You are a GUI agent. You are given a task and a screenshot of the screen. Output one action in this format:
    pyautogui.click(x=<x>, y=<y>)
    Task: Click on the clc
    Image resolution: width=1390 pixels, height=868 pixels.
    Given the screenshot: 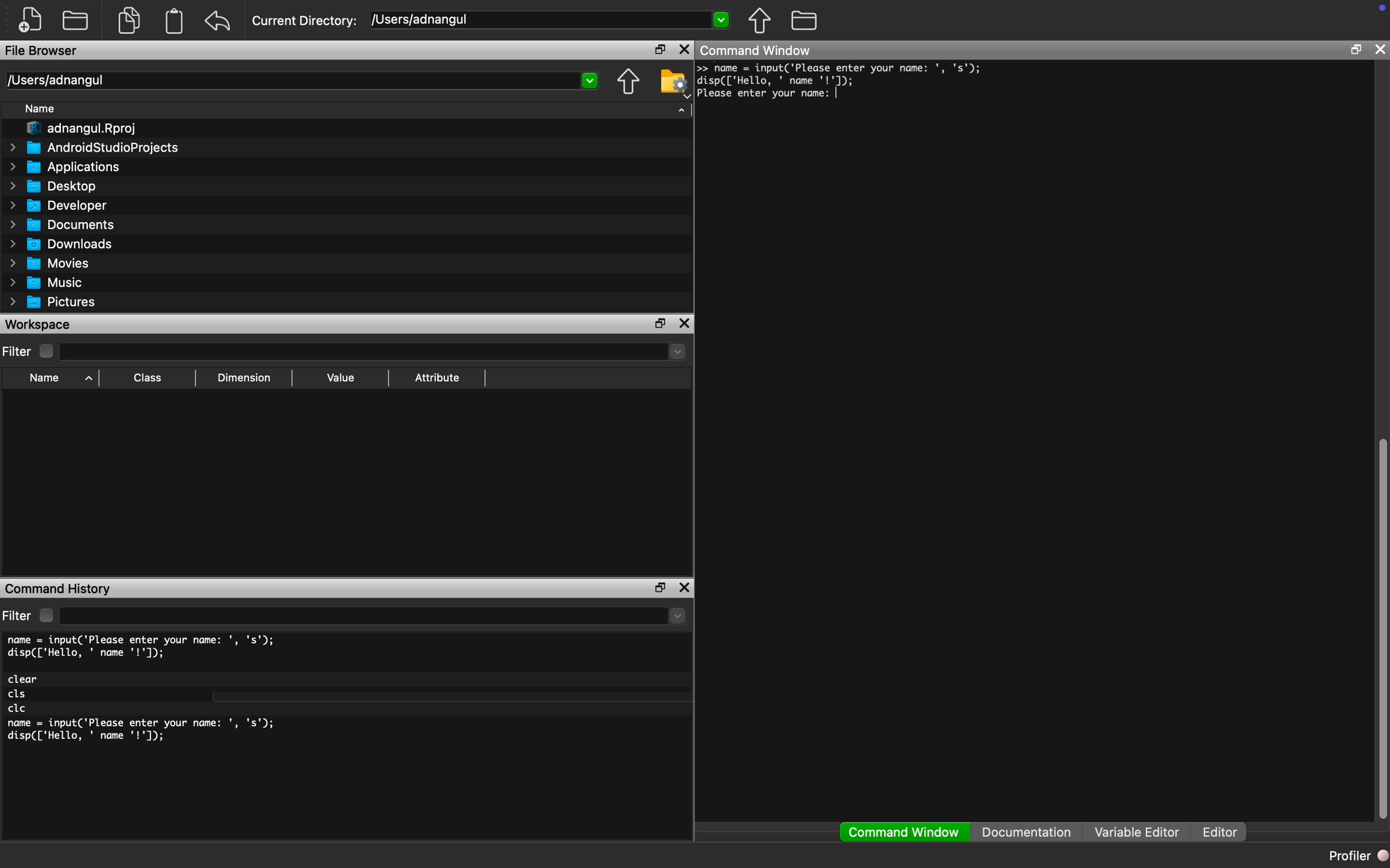 What is the action you would take?
    pyautogui.click(x=18, y=709)
    